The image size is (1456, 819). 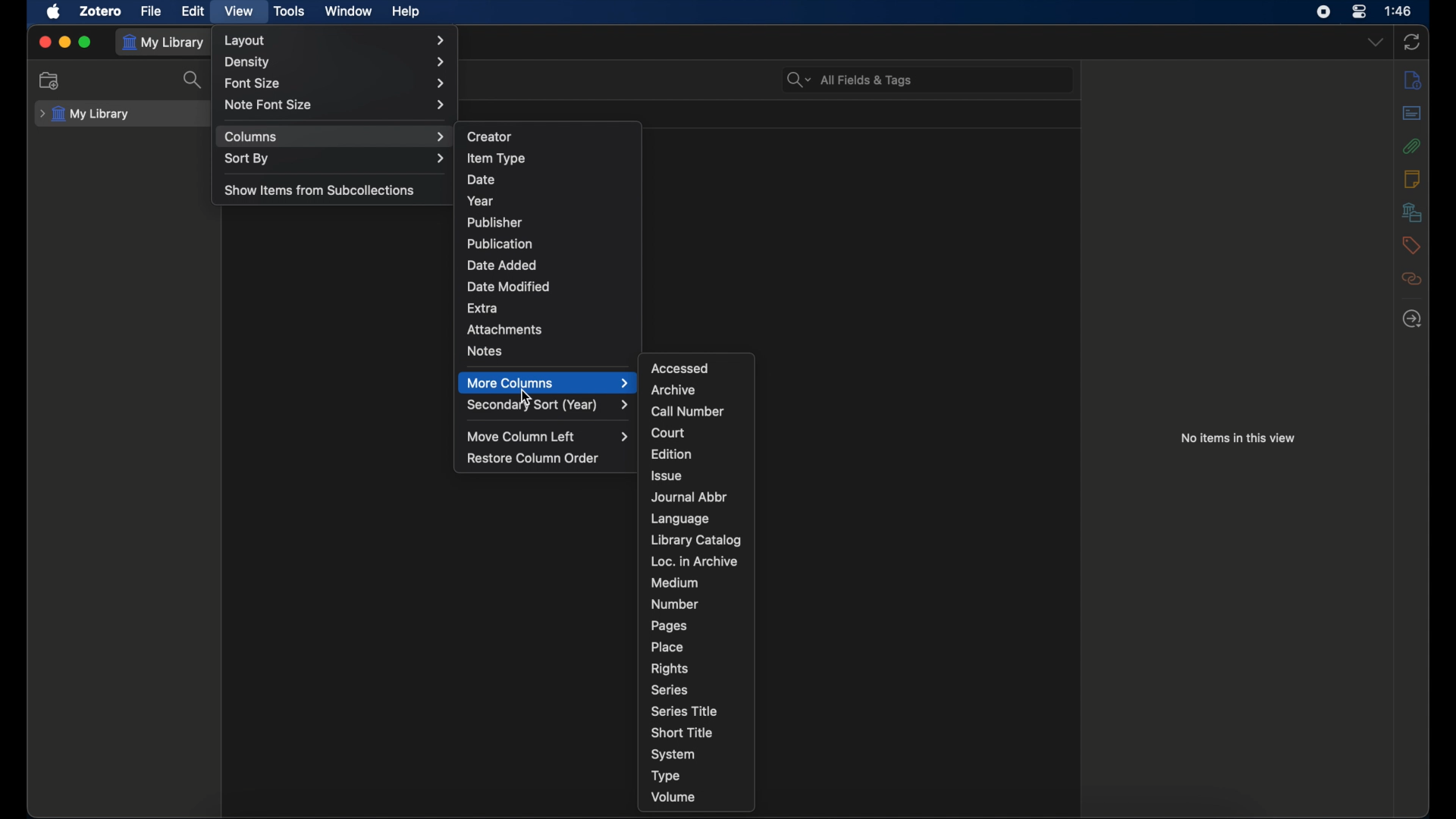 I want to click on volume, so click(x=673, y=797).